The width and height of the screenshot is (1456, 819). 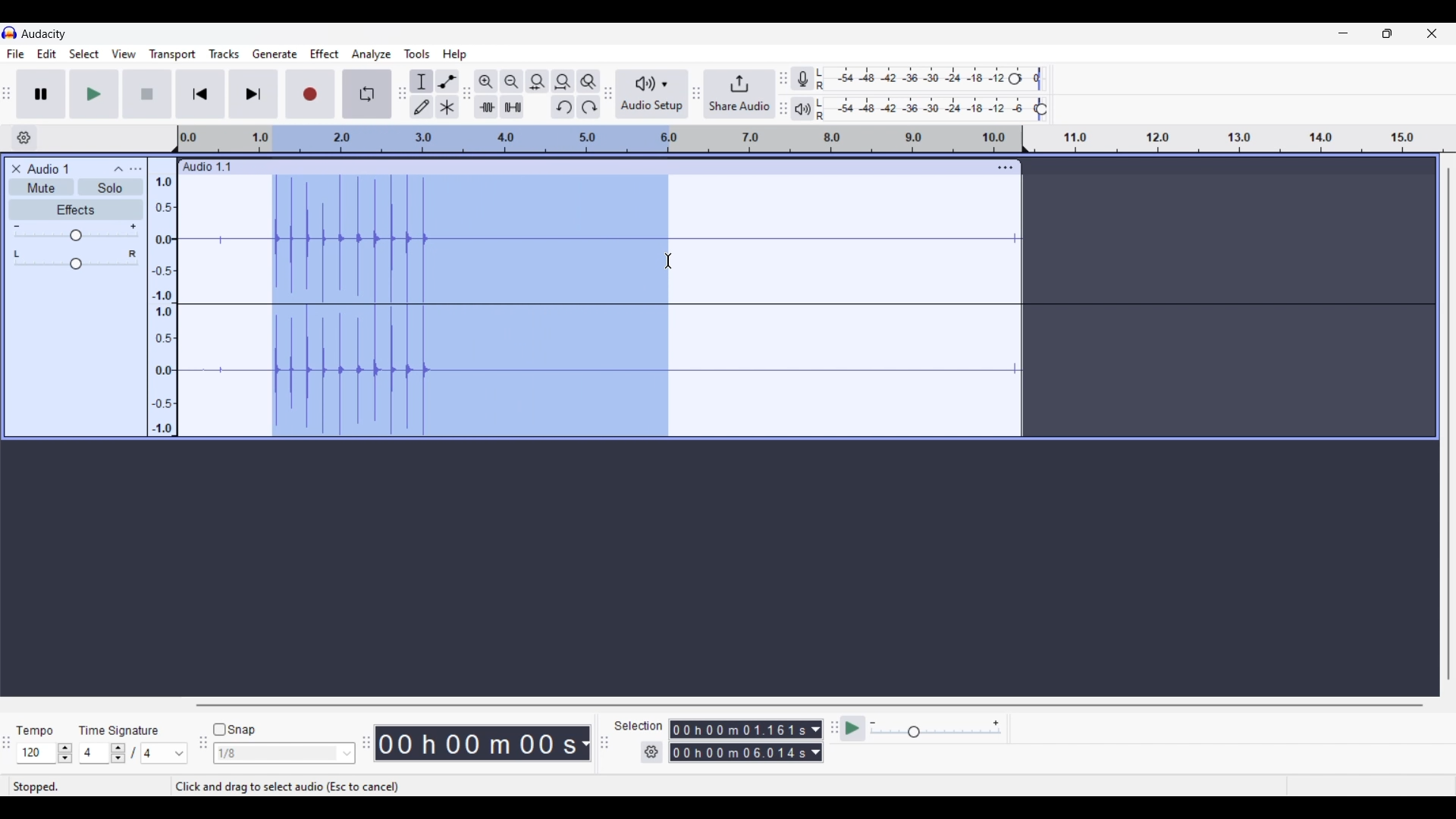 What do you see at coordinates (372, 55) in the screenshot?
I see `Analyze menu` at bounding box center [372, 55].